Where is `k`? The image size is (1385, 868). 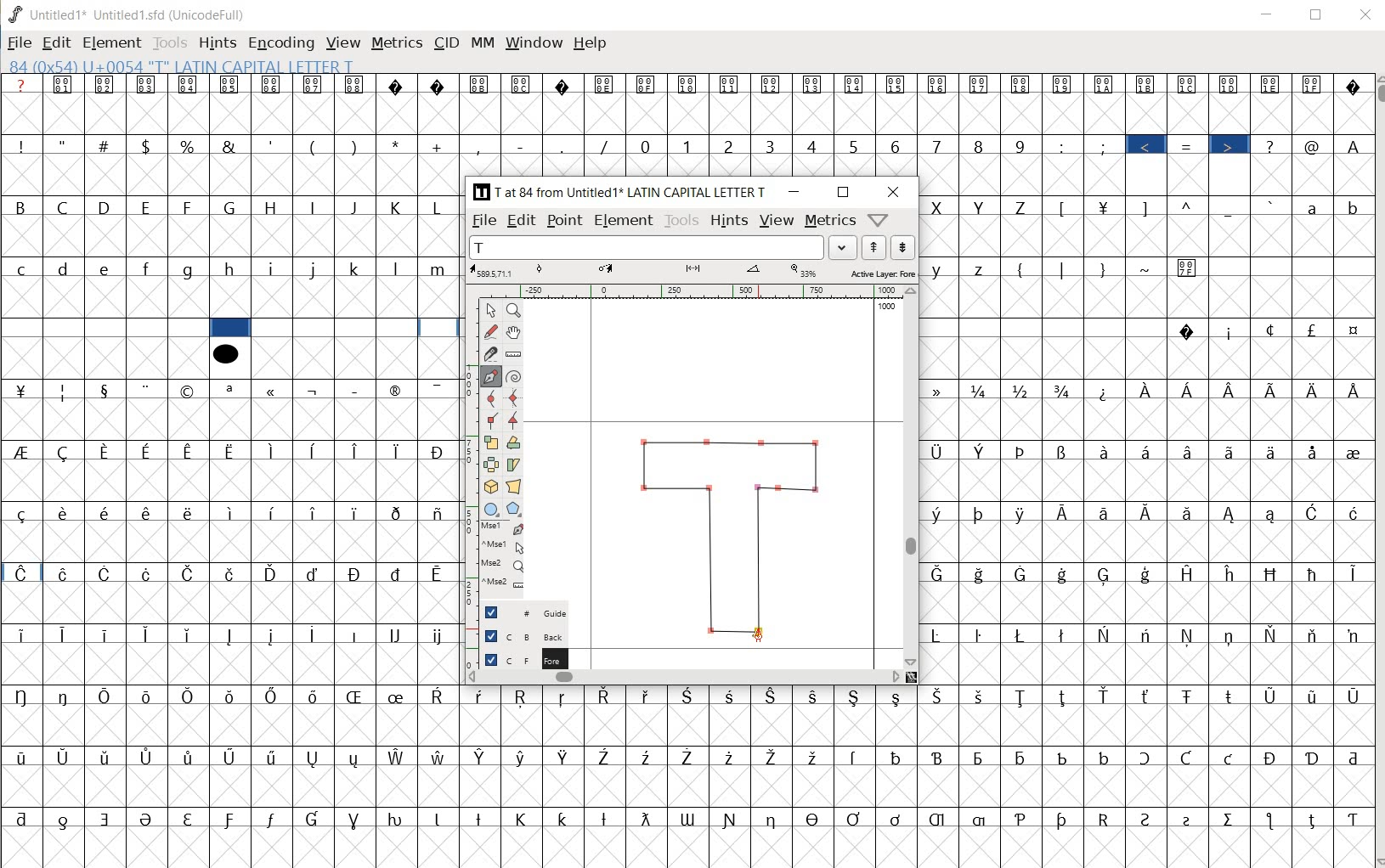 k is located at coordinates (355, 268).